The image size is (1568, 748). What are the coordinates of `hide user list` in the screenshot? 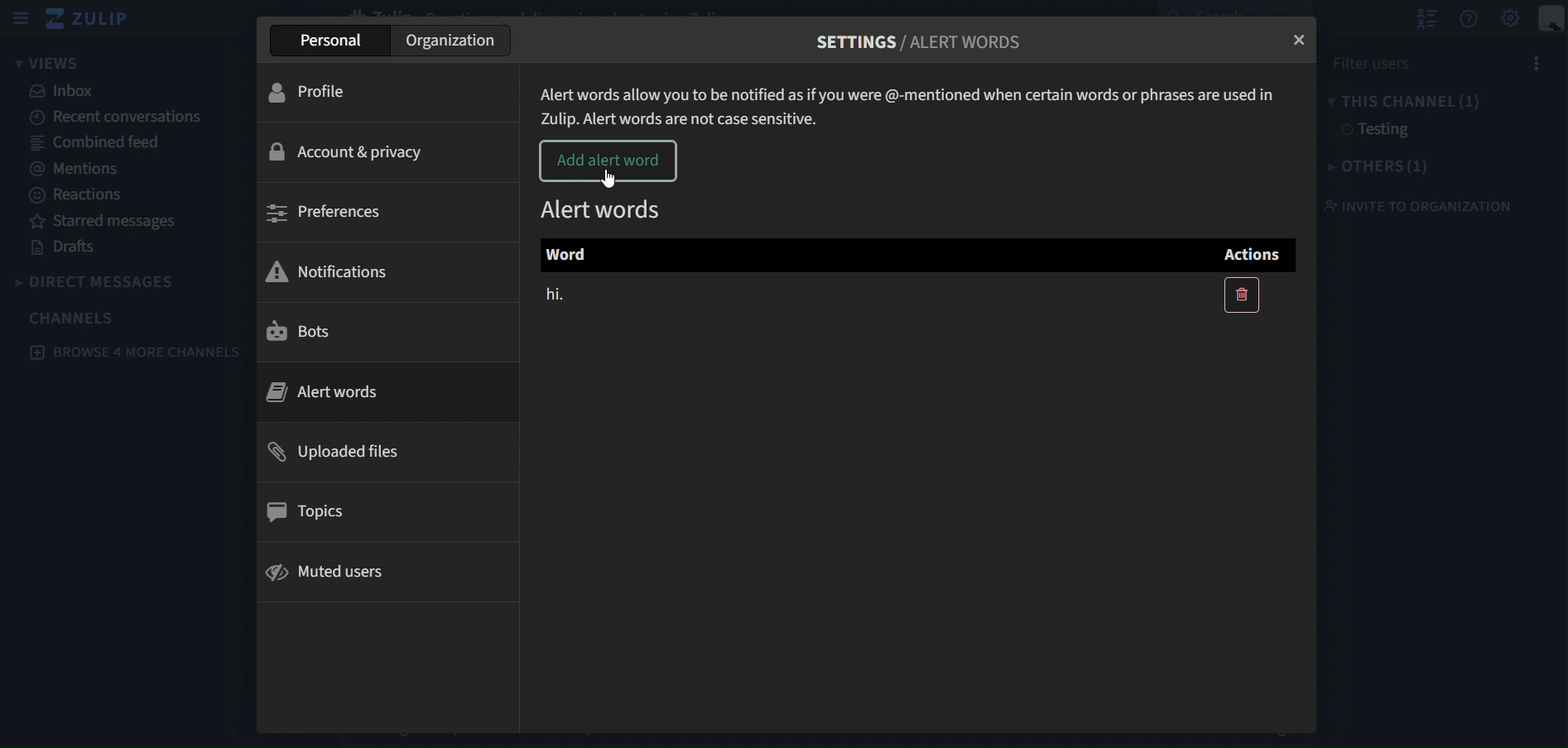 It's located at (1426, 18).